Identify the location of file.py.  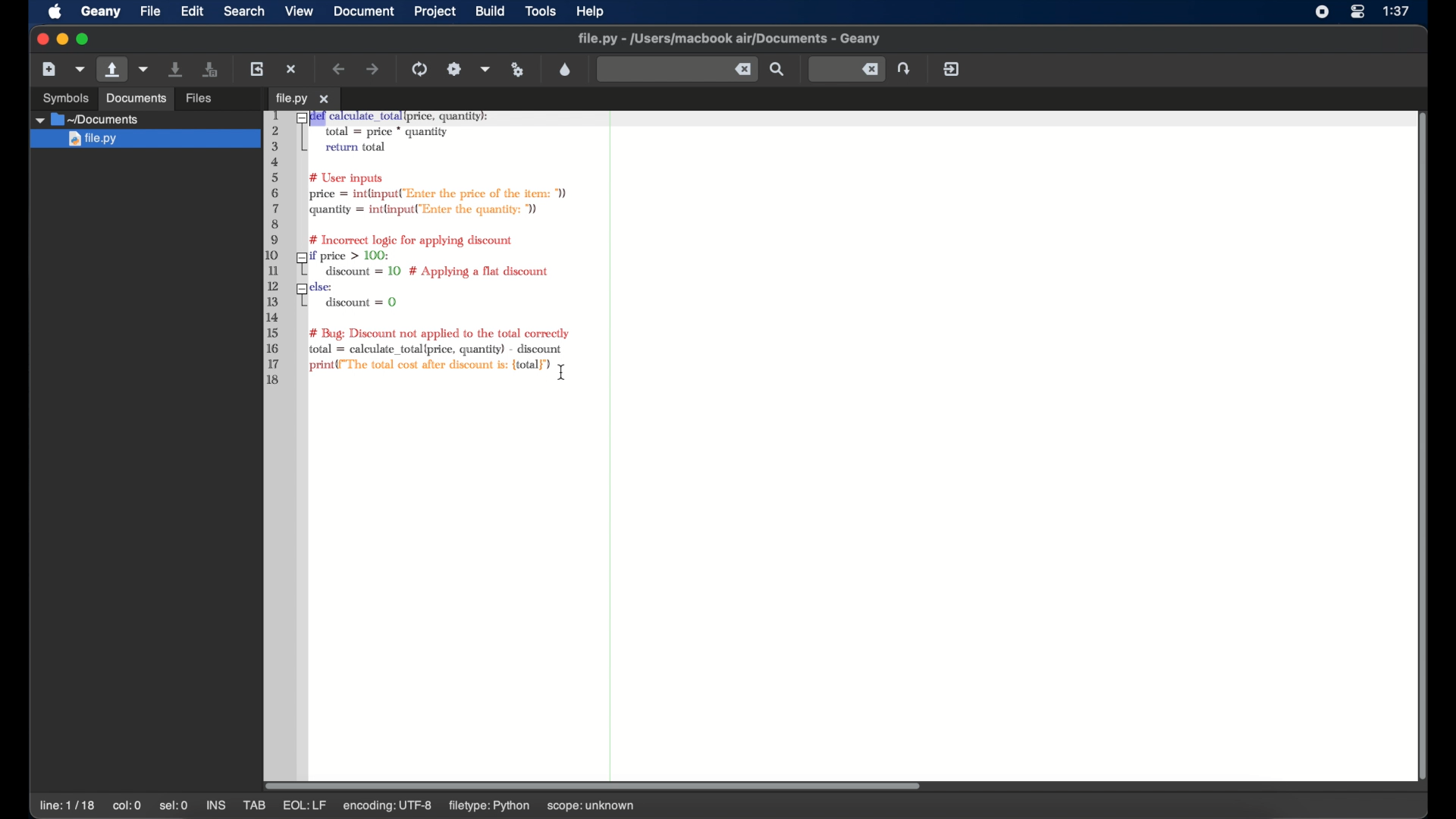
(146, 140).